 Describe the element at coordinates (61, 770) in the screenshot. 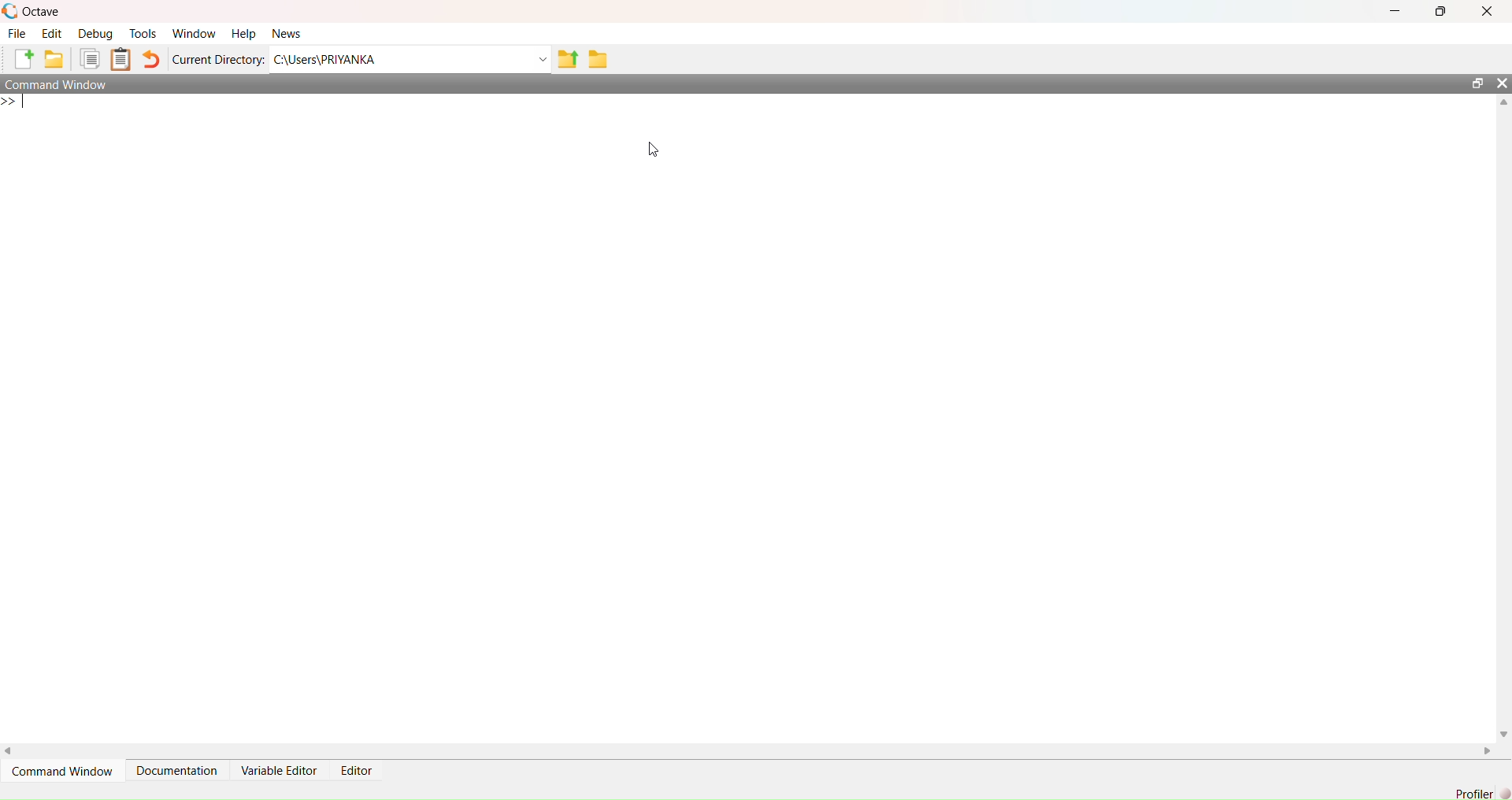

I see `Command Window` at that location.